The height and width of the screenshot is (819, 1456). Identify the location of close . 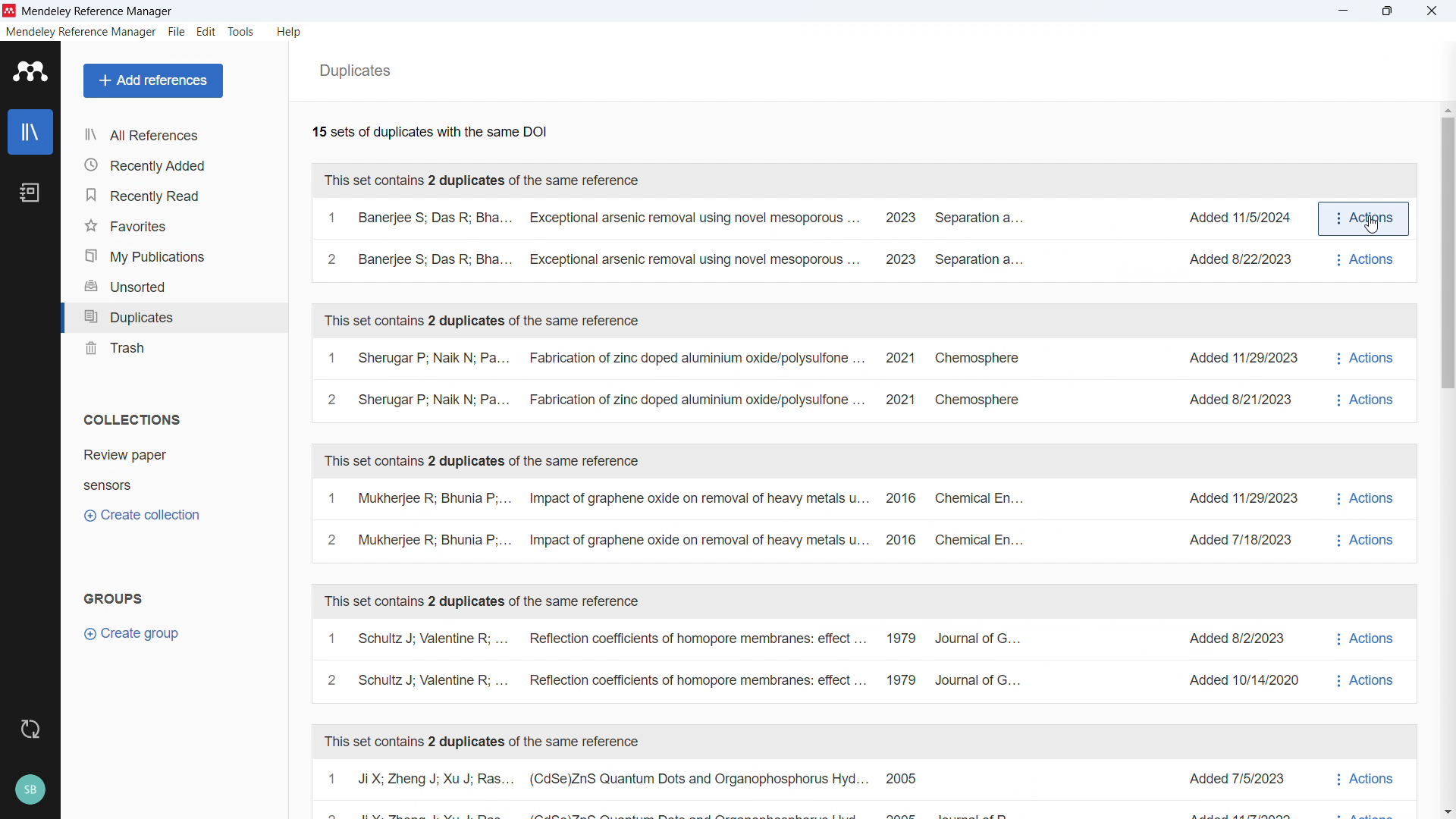
(1429, 11).